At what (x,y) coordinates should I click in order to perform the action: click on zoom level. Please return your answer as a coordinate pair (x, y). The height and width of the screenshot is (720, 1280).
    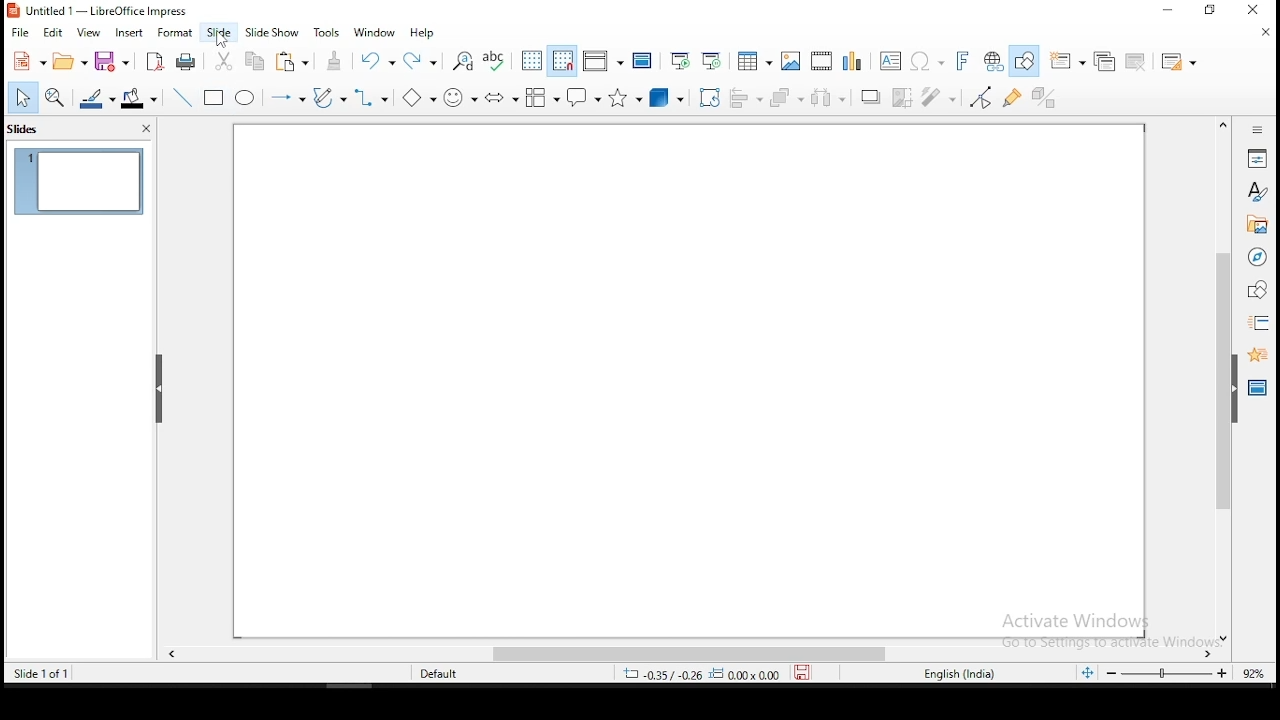
    Looking at the image, I should click on (1253, 675).